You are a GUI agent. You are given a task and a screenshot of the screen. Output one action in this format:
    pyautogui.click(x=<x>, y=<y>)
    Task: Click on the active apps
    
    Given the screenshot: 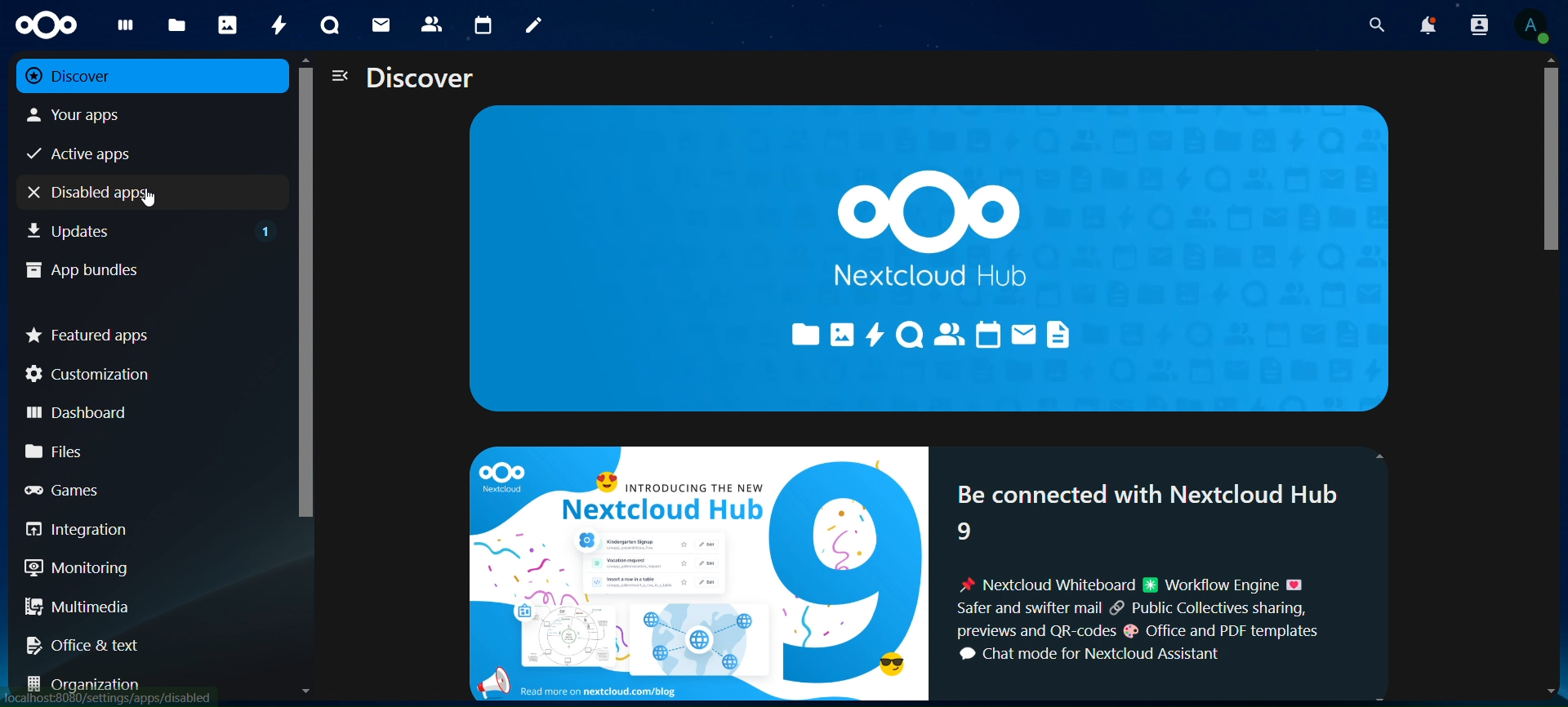 What is the action you would take?
    pyautogui.click(x=131, y=152)
    